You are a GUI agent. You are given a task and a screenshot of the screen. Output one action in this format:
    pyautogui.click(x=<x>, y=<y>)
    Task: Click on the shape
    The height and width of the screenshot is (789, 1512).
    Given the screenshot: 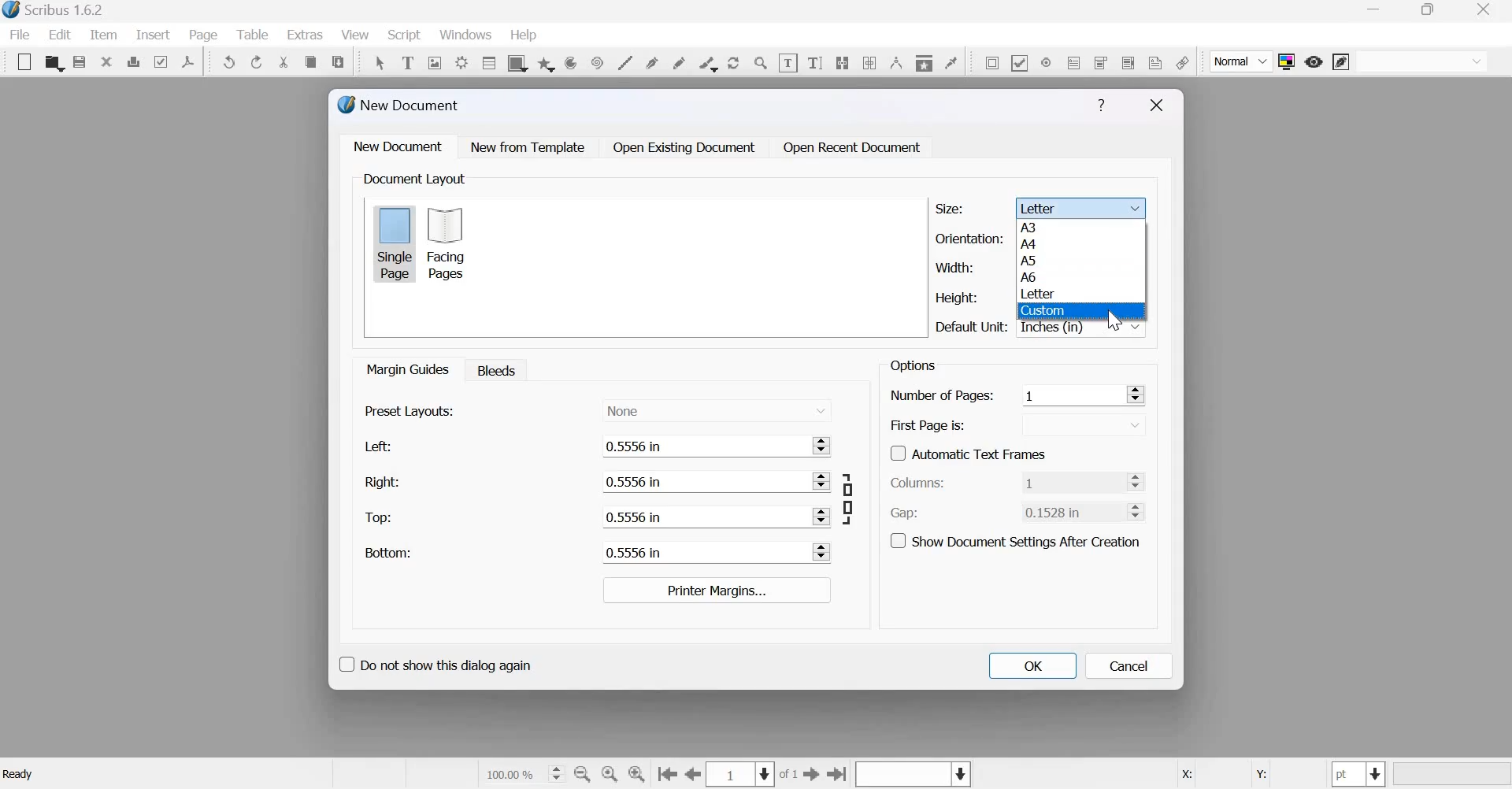 What is the action you would take?
    pyautogui.click(x=516, y=62)
    